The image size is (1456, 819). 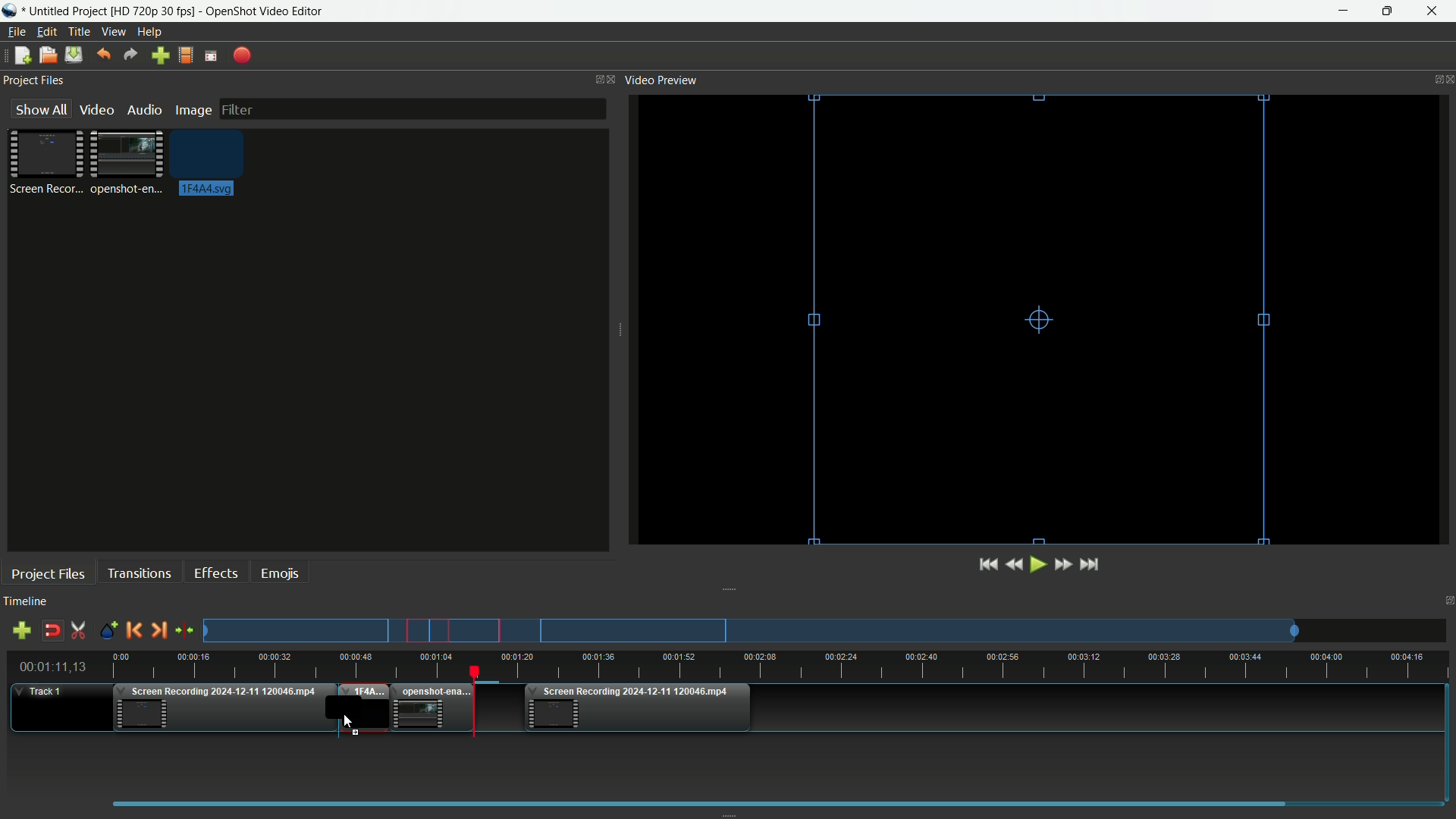 What do you see at coordinates (595, 80) in the screenshot?
I see `Change layout` at bounding box center [595, 80].